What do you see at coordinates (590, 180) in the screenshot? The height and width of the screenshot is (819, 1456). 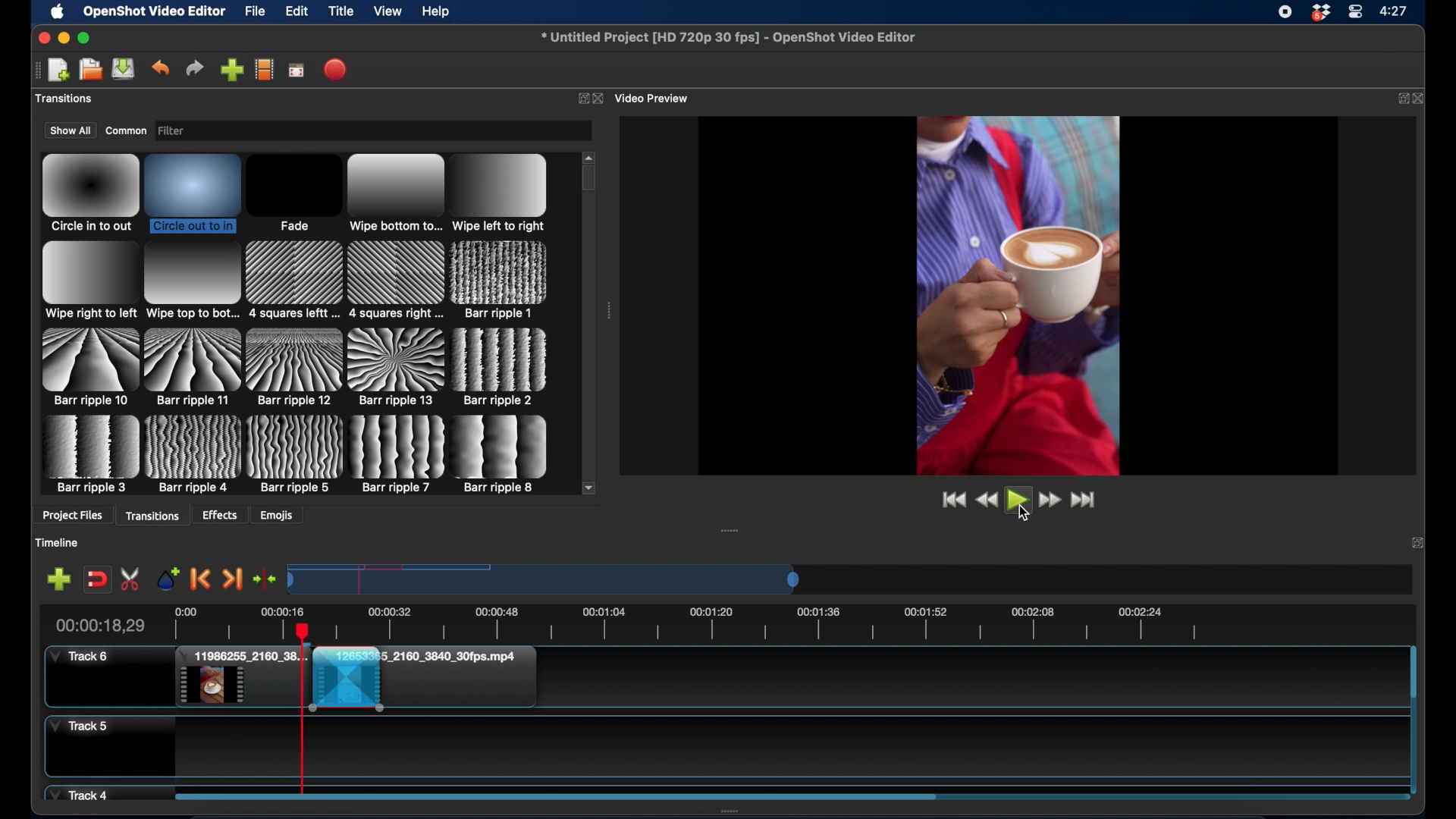 I see `scroll box` at bounding box center [590, 180].